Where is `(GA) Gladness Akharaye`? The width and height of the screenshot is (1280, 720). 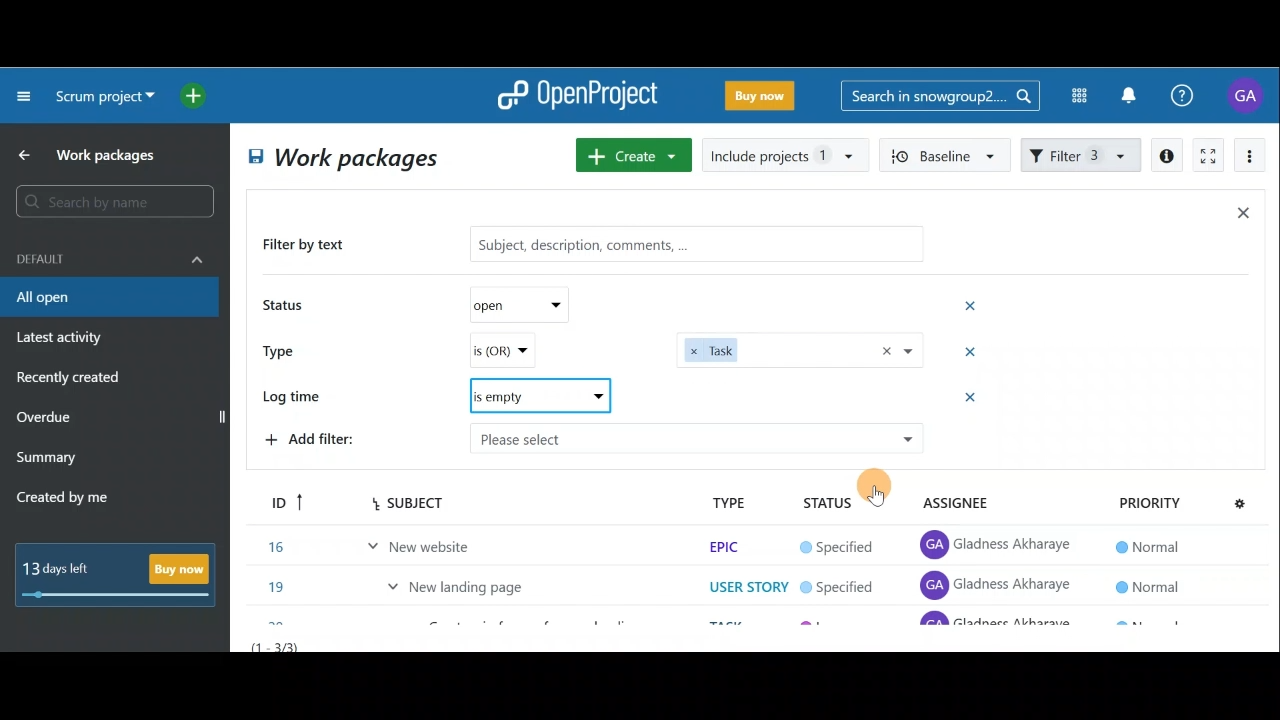
(GA) Gladness Akharaye is located at coordinates (999, 500).